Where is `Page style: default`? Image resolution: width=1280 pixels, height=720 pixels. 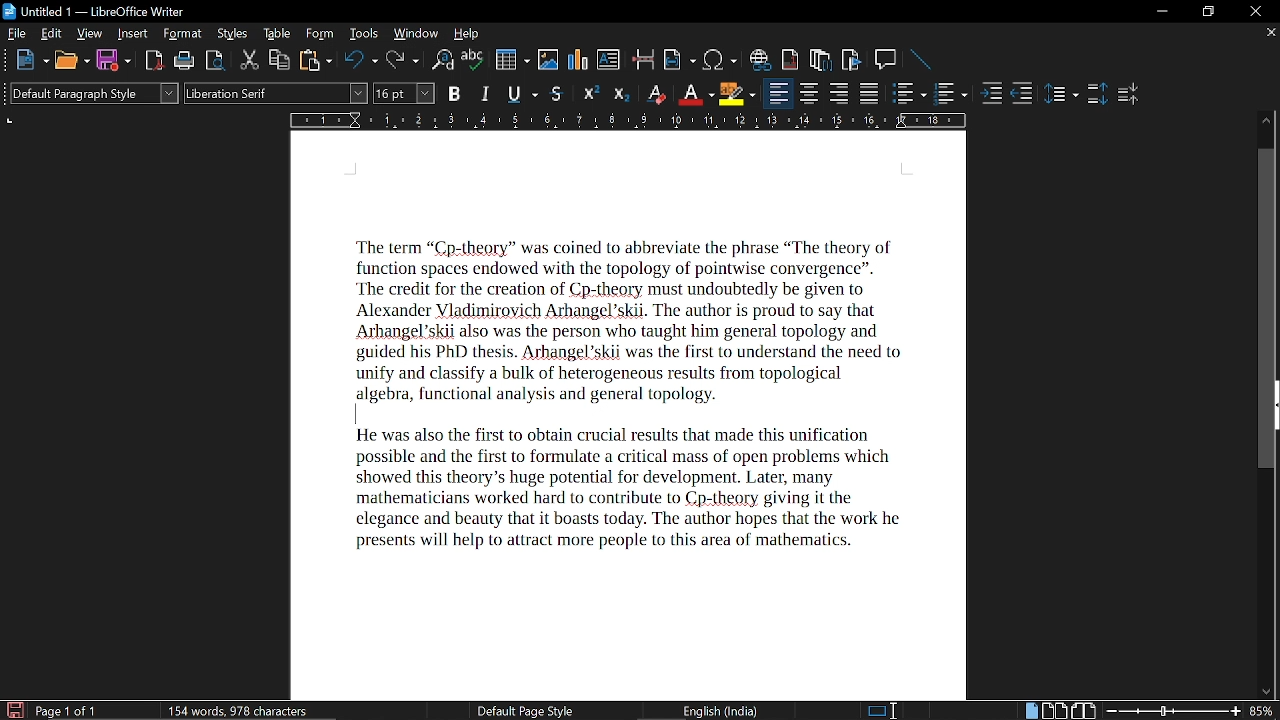
Page style: default is located at coordinates (525, 710).